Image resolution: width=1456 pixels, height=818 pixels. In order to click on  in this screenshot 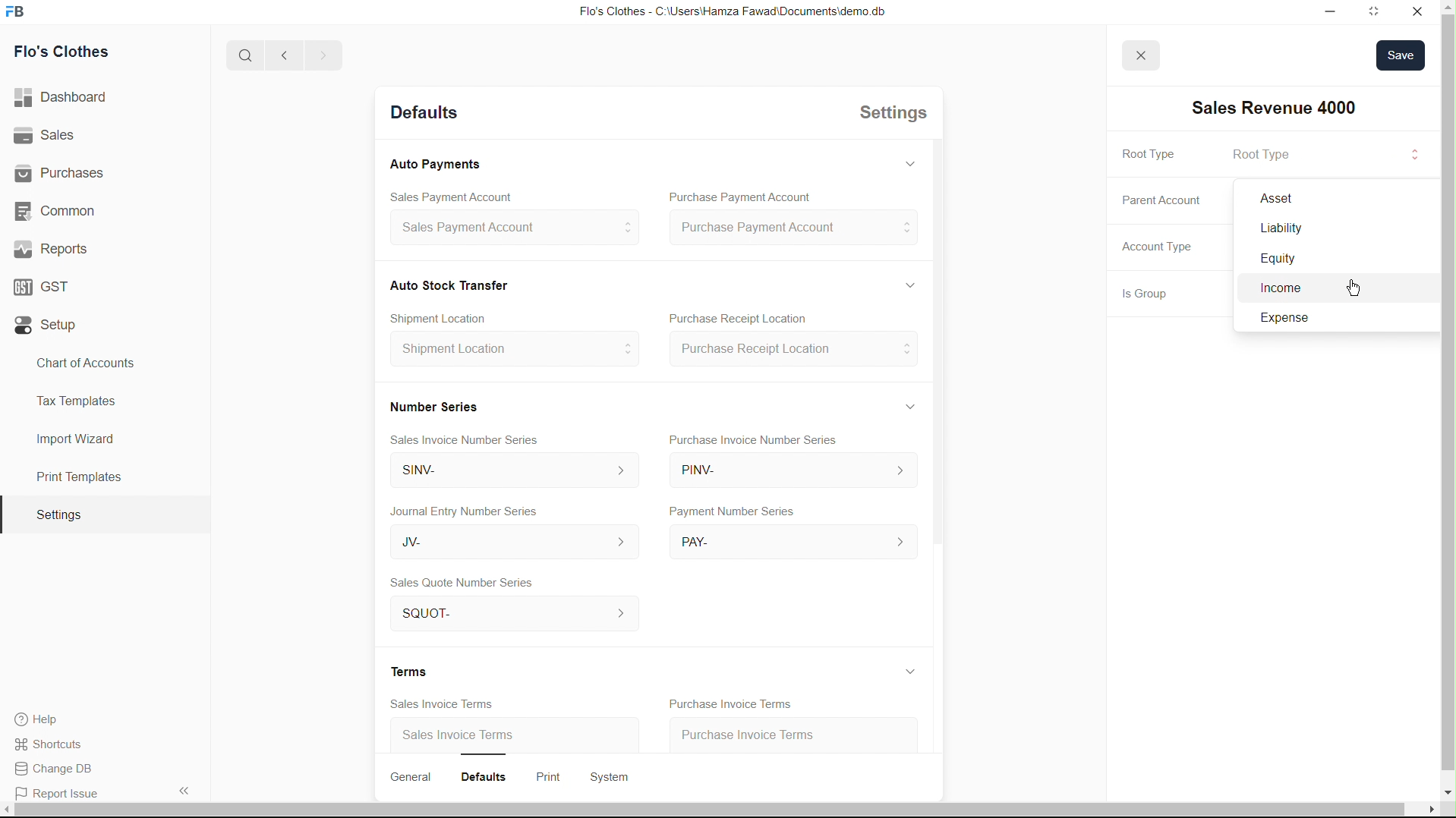, I will do `click(1309, 231)`.